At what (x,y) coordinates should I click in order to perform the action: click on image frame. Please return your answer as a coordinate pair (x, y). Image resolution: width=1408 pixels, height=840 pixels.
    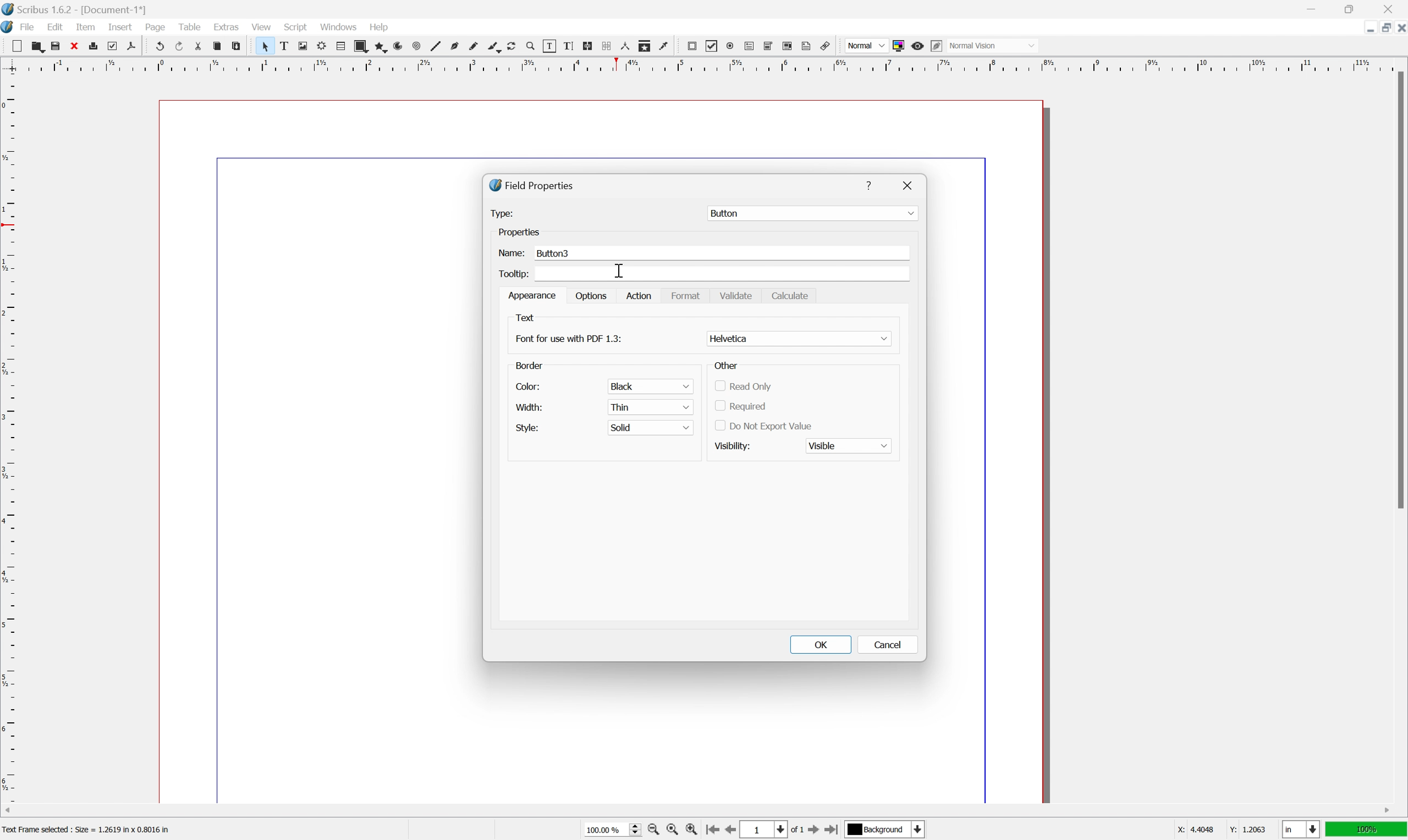
    Looking at the image, I should click on (303, 46).